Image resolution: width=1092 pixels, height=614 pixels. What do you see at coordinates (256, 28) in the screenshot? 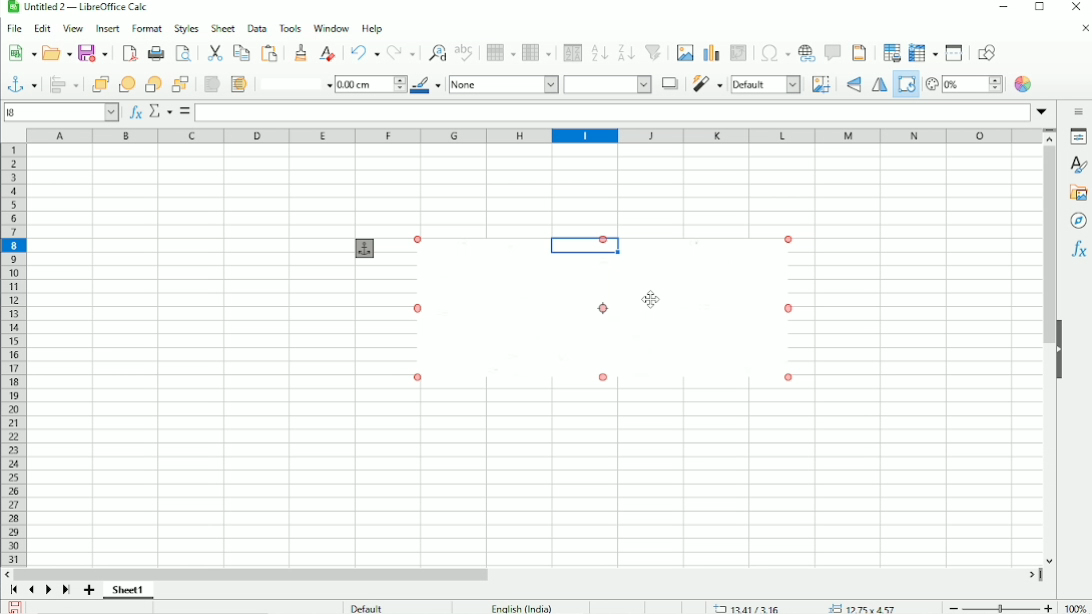
I see `Data` at bounding box center [256, 28].